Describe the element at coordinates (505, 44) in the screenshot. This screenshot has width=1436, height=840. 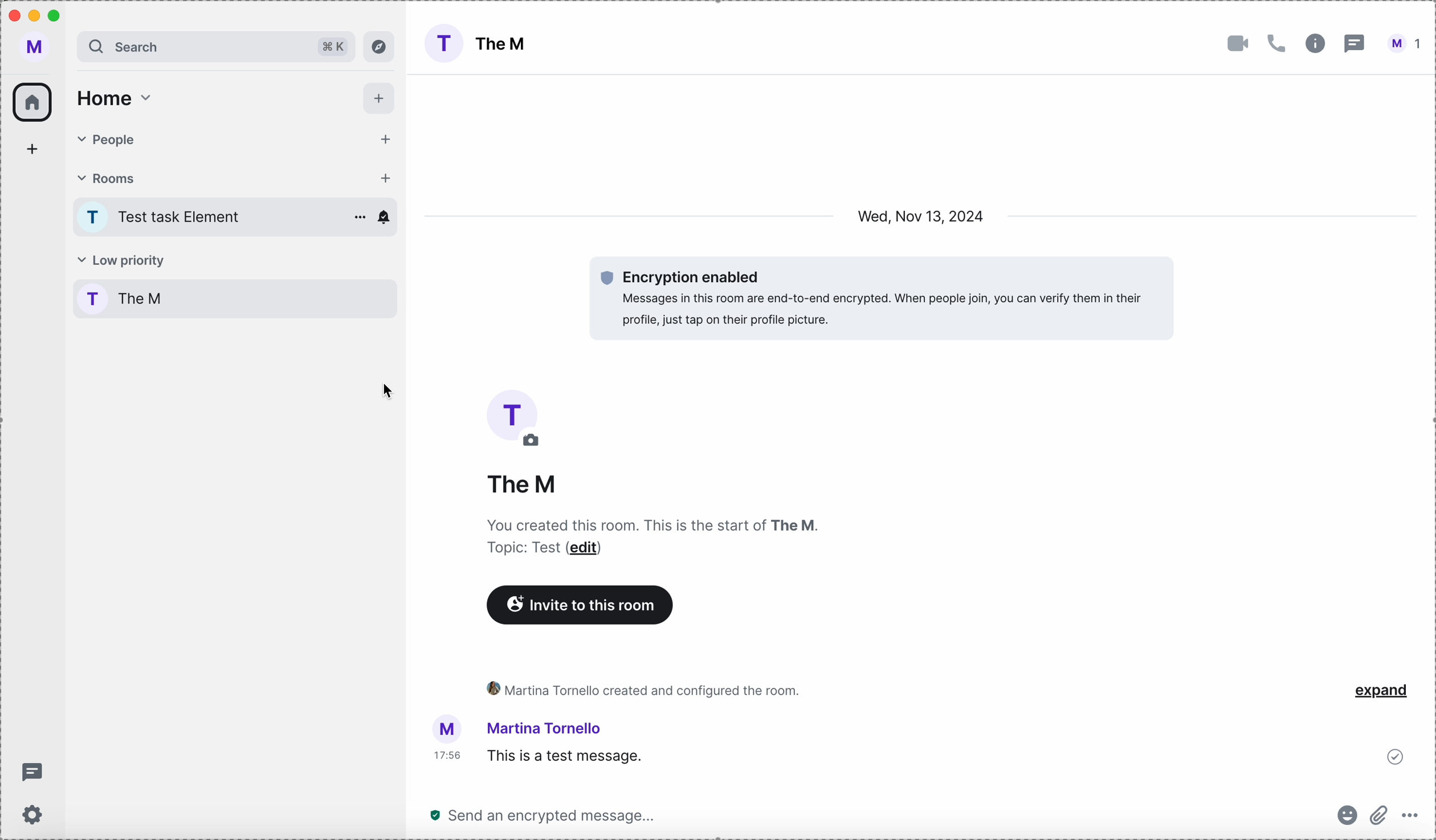
I see `The M` at that location.